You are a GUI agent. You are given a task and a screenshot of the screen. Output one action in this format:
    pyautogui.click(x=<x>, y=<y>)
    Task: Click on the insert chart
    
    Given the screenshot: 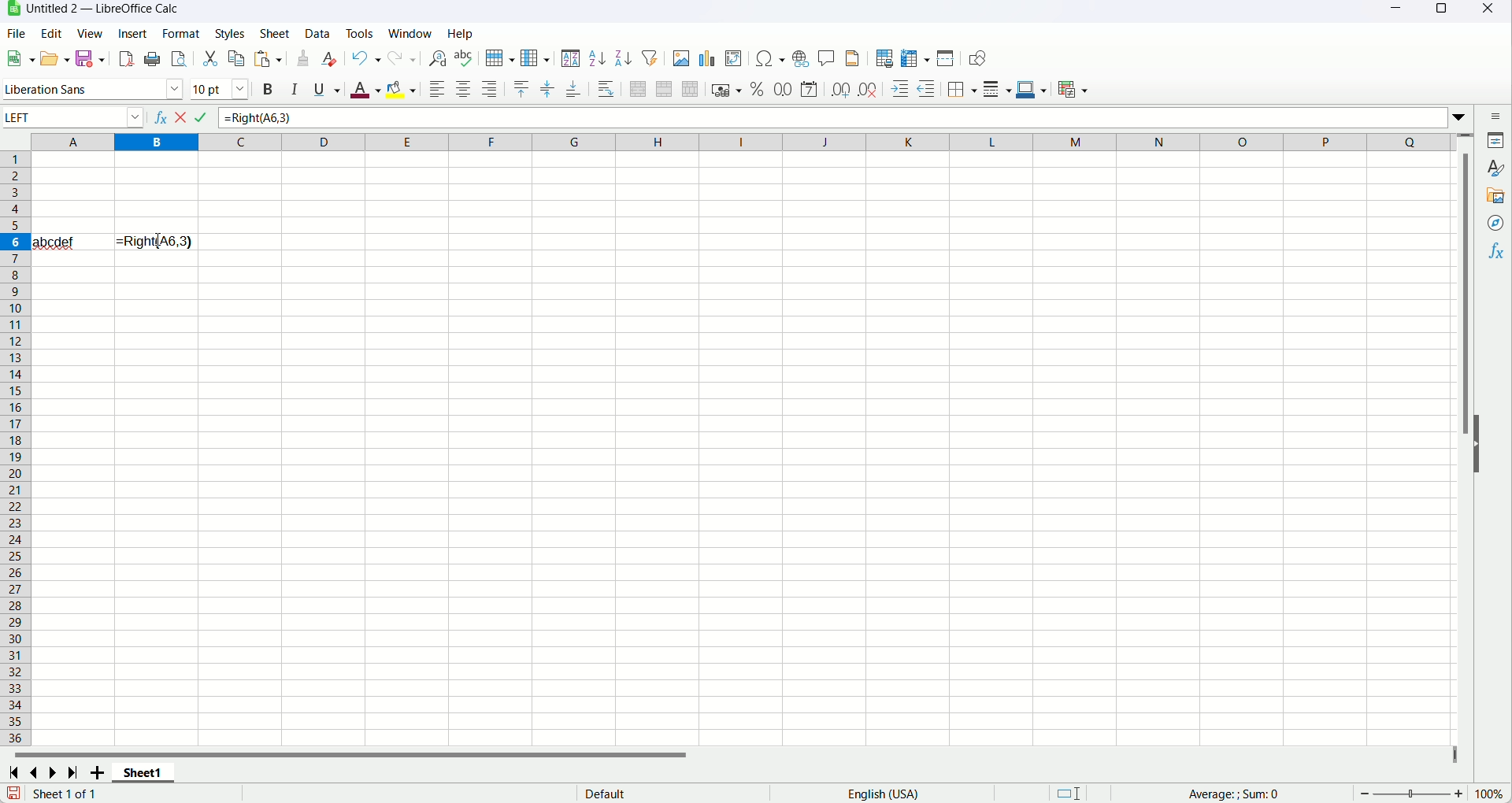 What is the action you would take?
    pyautogui.click(x=706, y=59)
    